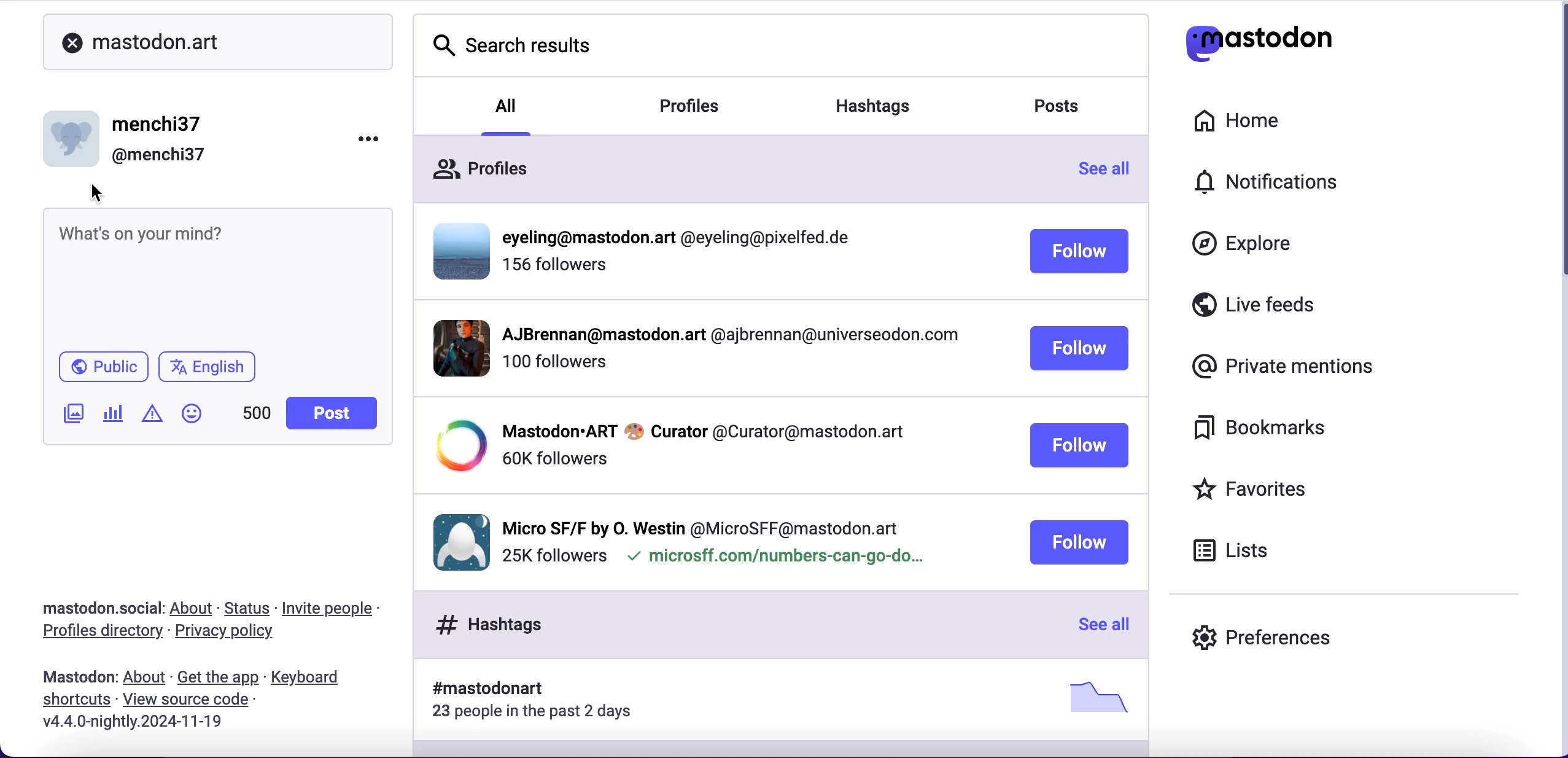 This screenshot has width=1568, height=758. Describe the element at coordinates (701, 346) in the screenshot. I see `profile` at that location.